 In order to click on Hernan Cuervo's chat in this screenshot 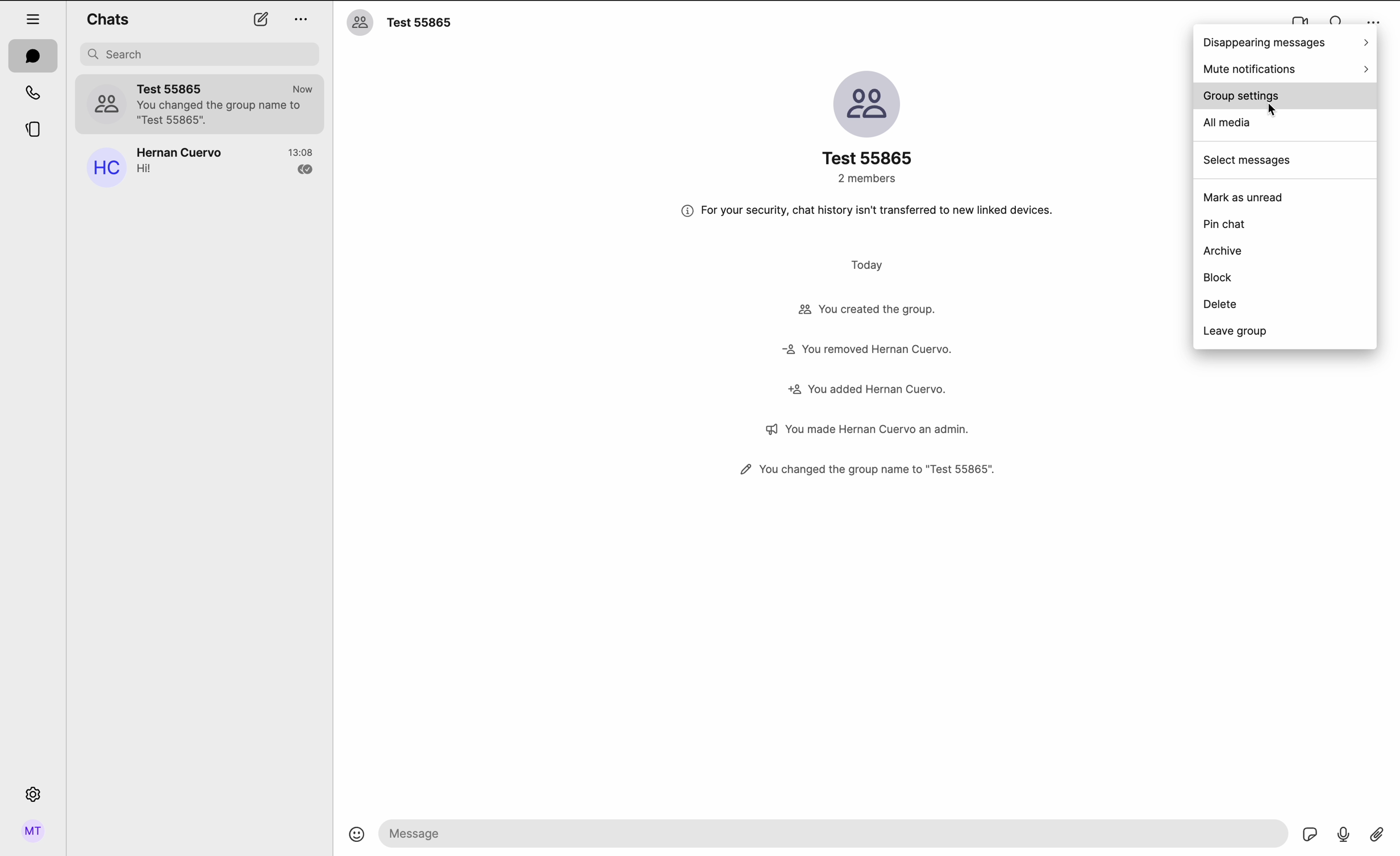, I will do `click(227, 165)`.